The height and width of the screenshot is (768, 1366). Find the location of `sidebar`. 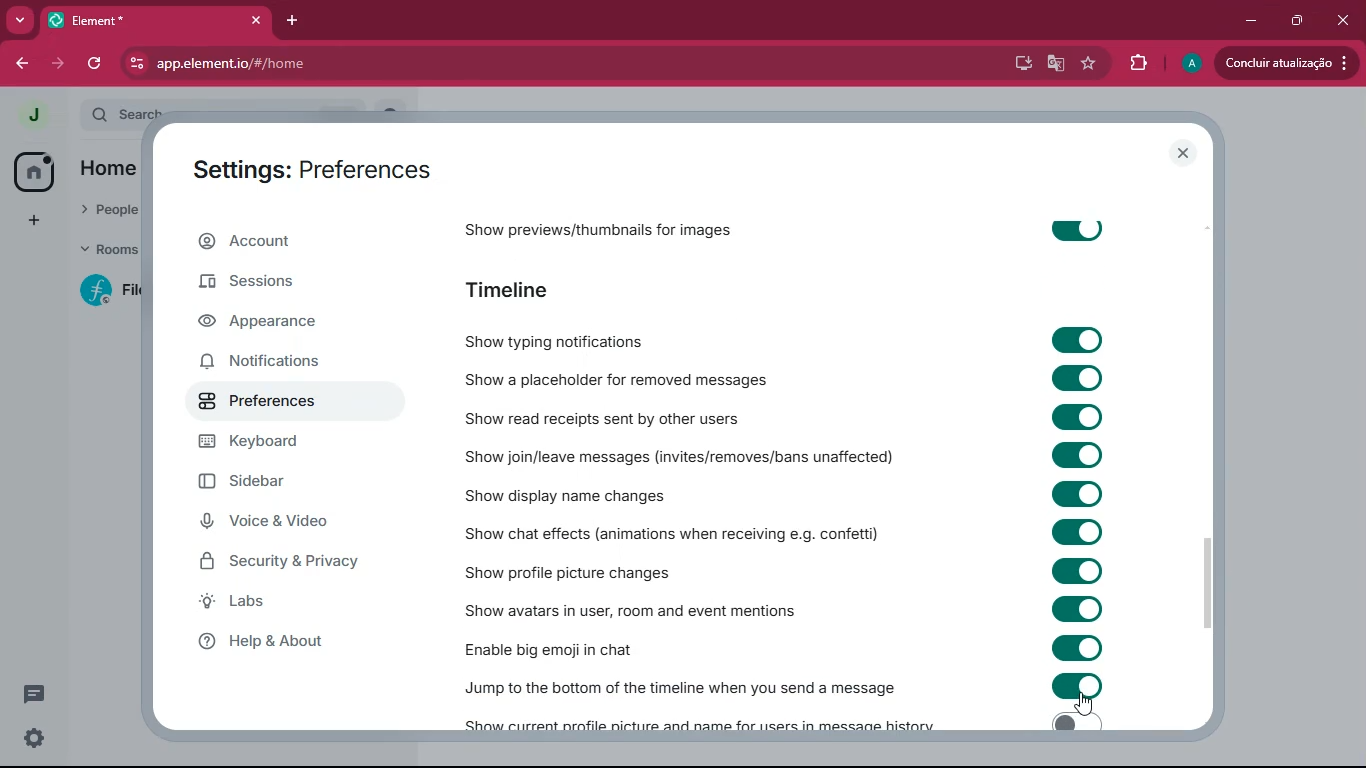

sidebar is located at coordinates (275, 481).